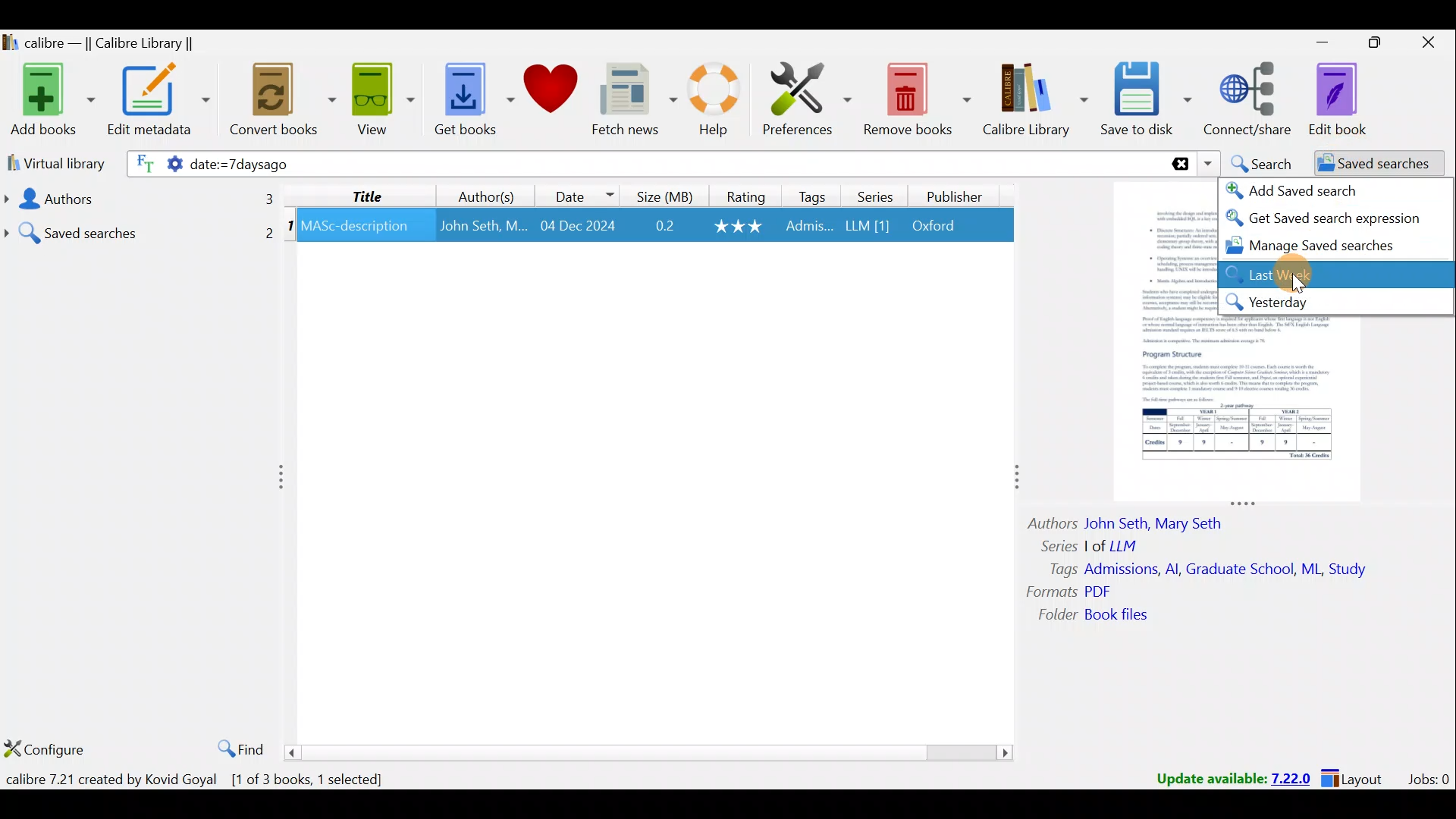  Describe the element at coordinates (1357, 777) in the screenshot. I see `Layout` at that location.